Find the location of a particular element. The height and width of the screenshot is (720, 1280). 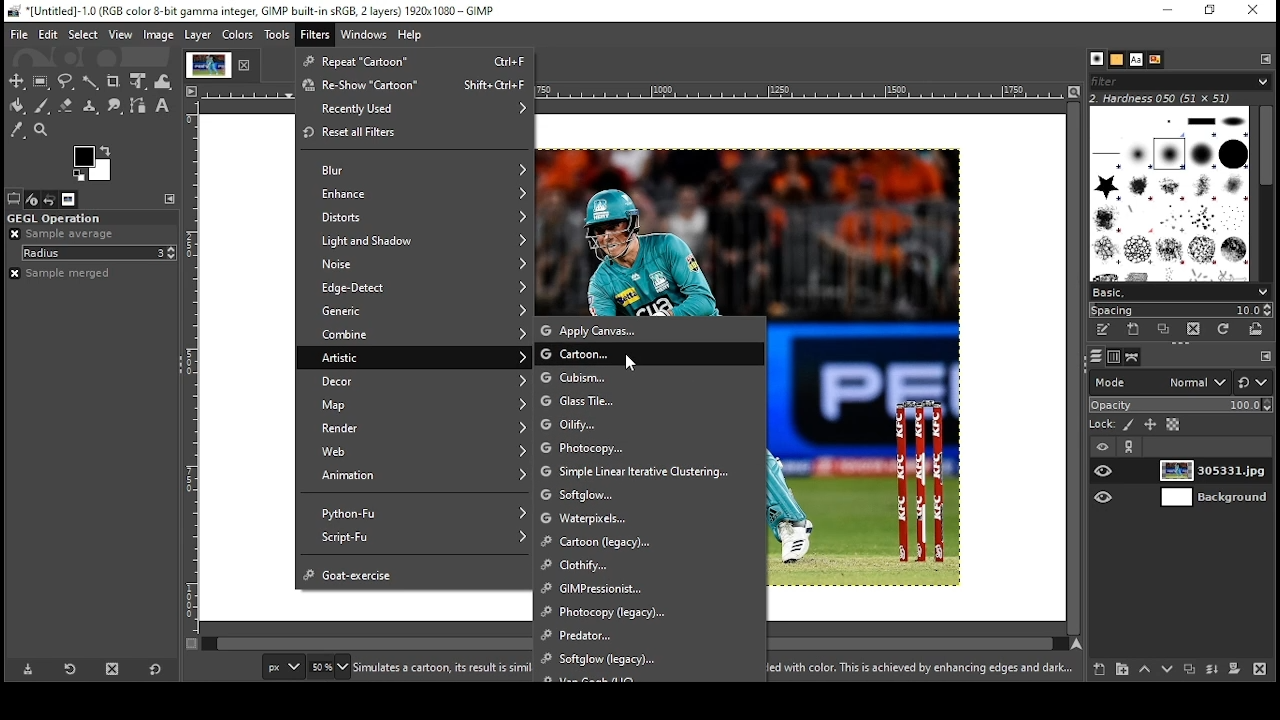

switch to another group of modes is located at coordinates (1255, 382).